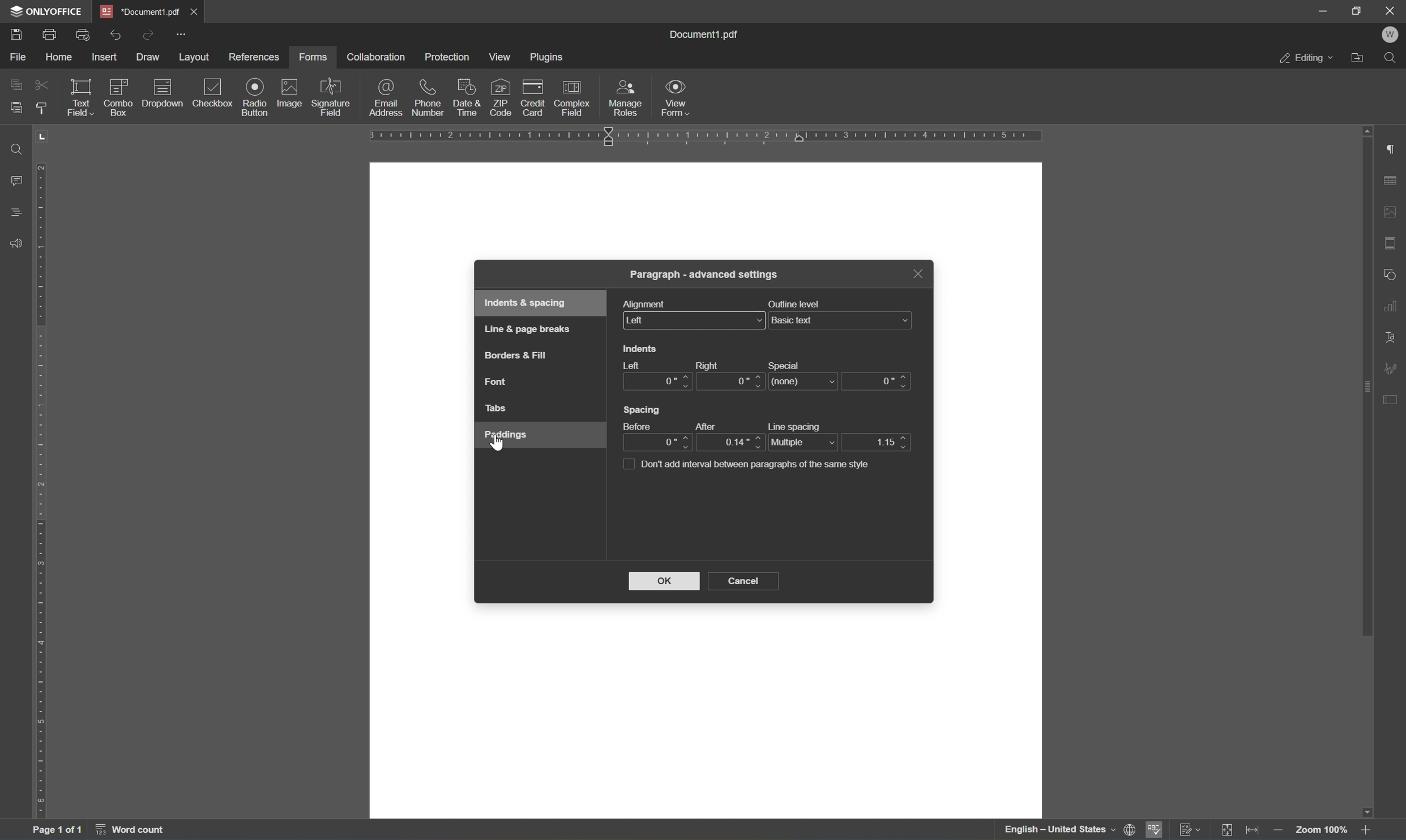 Image resolution: width=1406 pixels, height=840 pixels. What do you see at coordinates (256, 97) in the screenshot?
I see `radio button` at bounding box center [256, 97].